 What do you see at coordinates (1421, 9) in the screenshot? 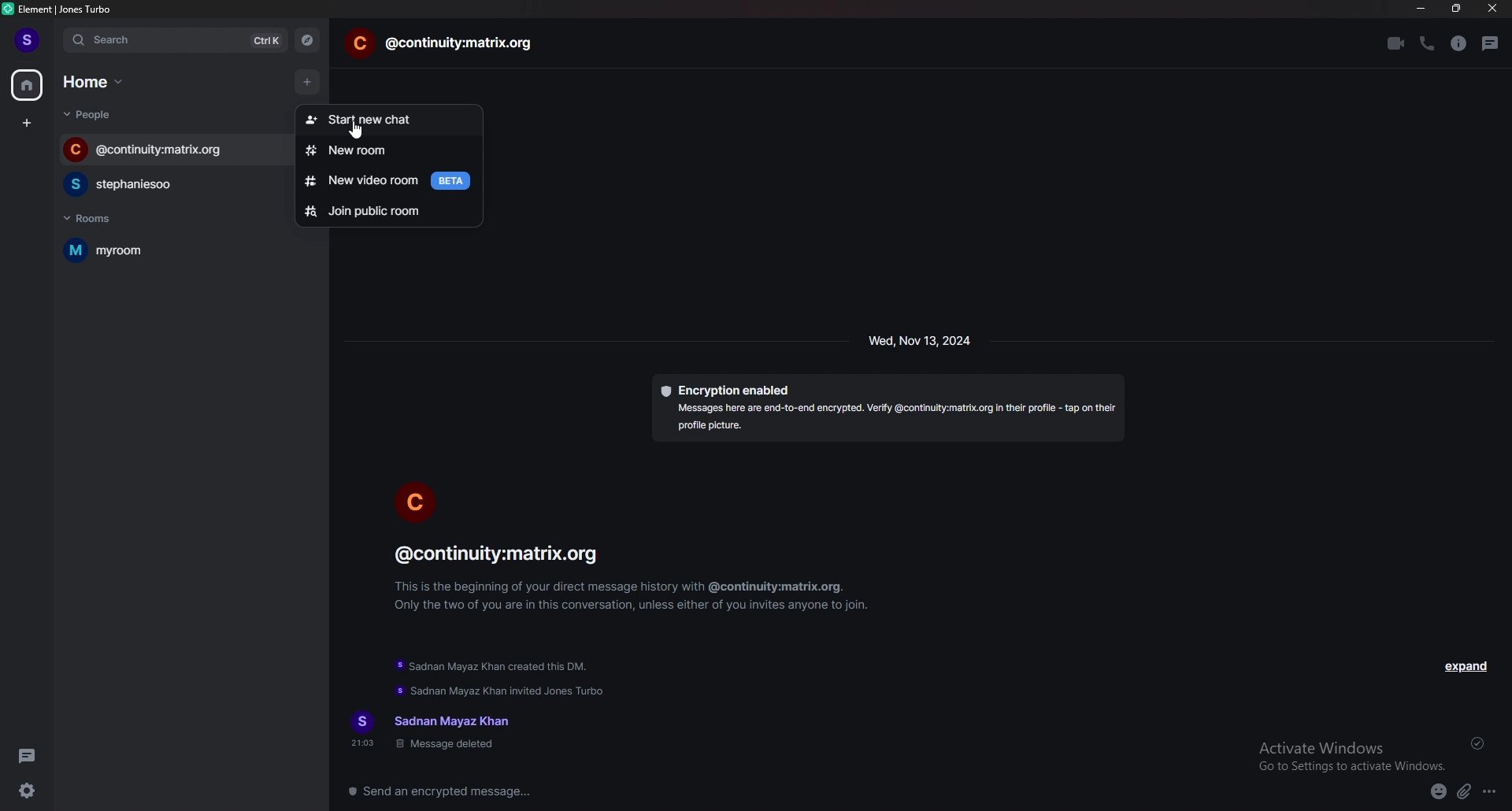
I see `minimize` at bounding box center [1421, 9].